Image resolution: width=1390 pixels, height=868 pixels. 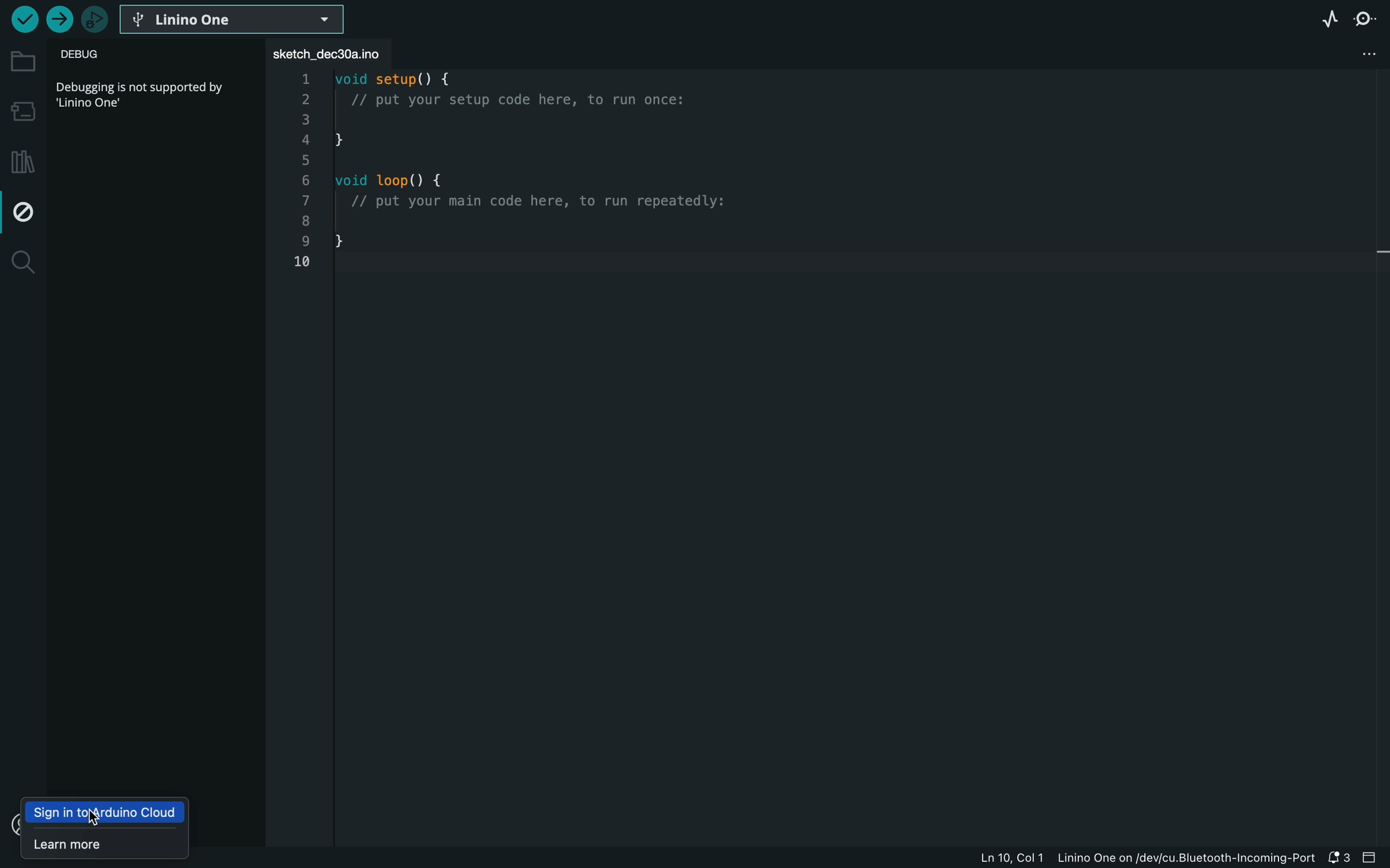 What do you see at coordinates (57, 20) in the screenshot?
I see `upload` at bounding box center [57, 20].